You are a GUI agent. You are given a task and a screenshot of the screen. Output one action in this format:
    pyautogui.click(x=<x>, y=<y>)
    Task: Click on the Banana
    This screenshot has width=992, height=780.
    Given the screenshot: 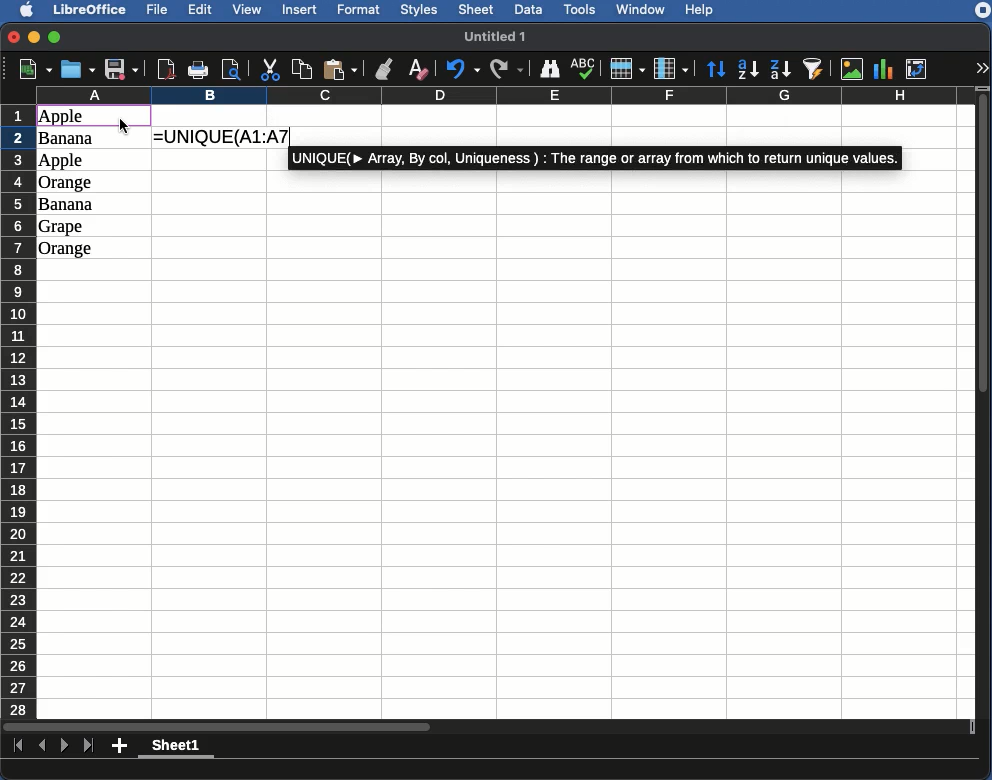 What is the action you would take?
    pyautogui.click(x=71, y=139)
    